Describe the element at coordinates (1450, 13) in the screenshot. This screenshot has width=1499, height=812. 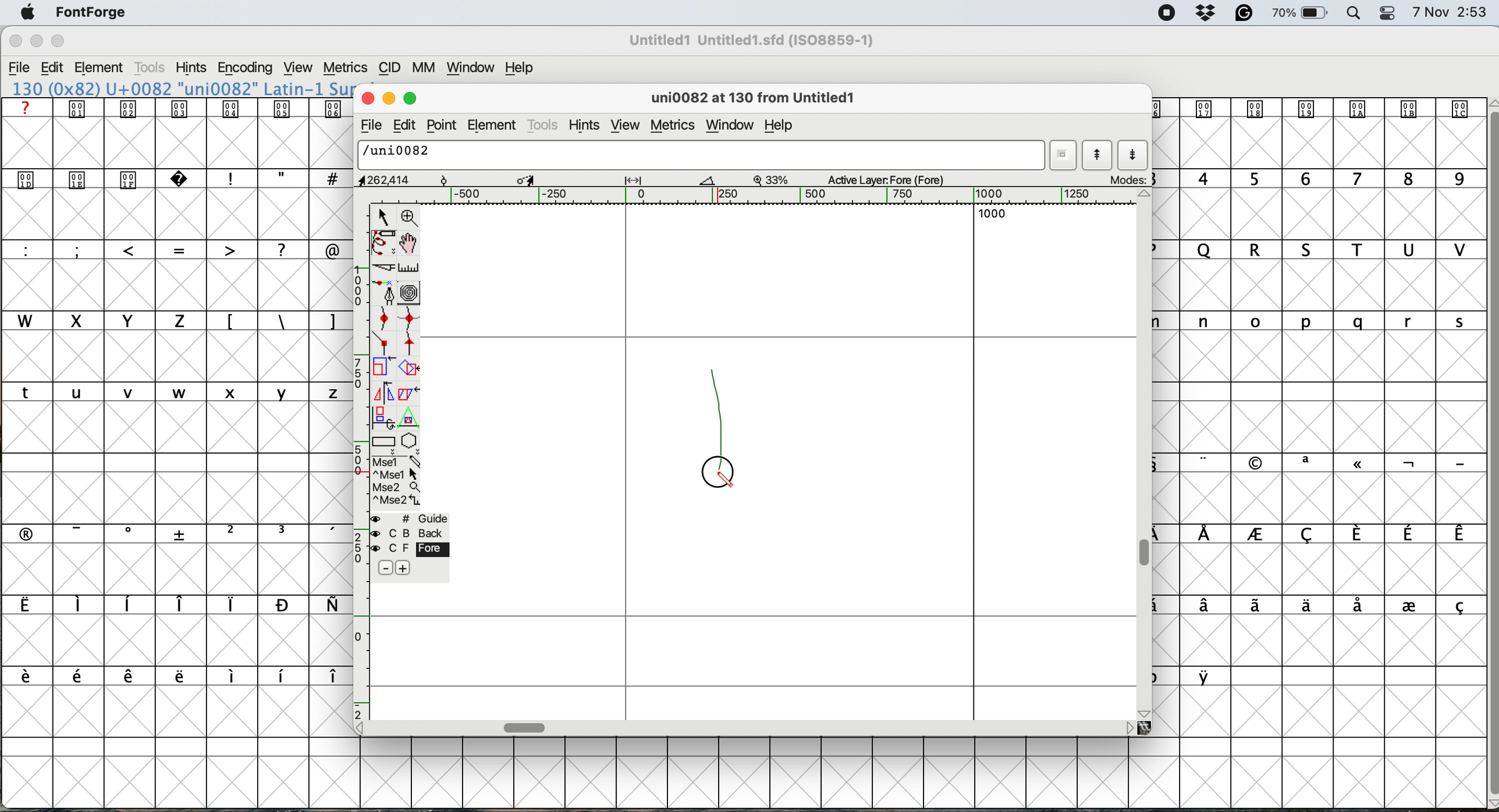
I see `date and time` at that location.